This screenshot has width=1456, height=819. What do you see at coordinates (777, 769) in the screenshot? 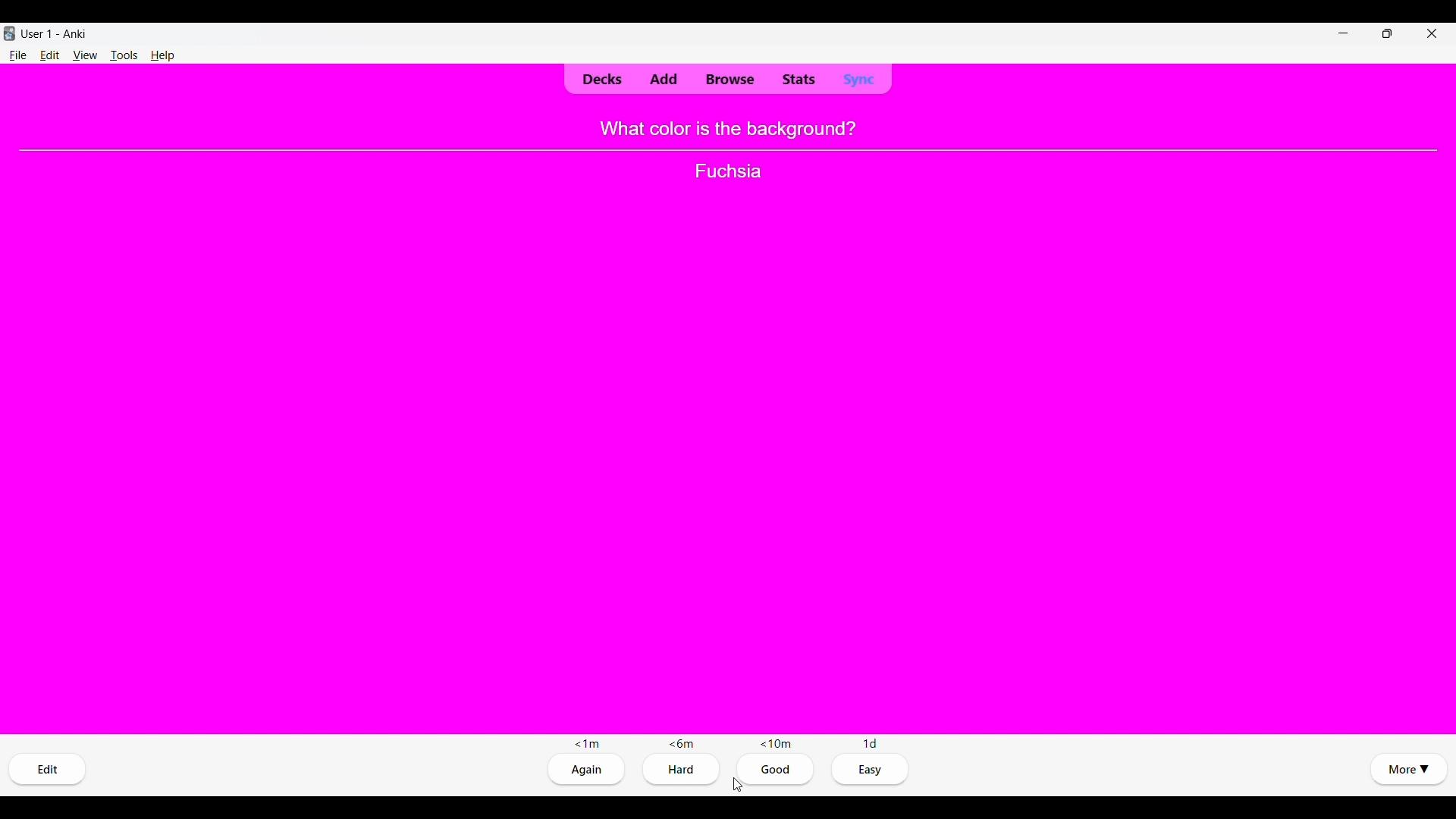
I see `Good button` at bounding box center [777, 769].